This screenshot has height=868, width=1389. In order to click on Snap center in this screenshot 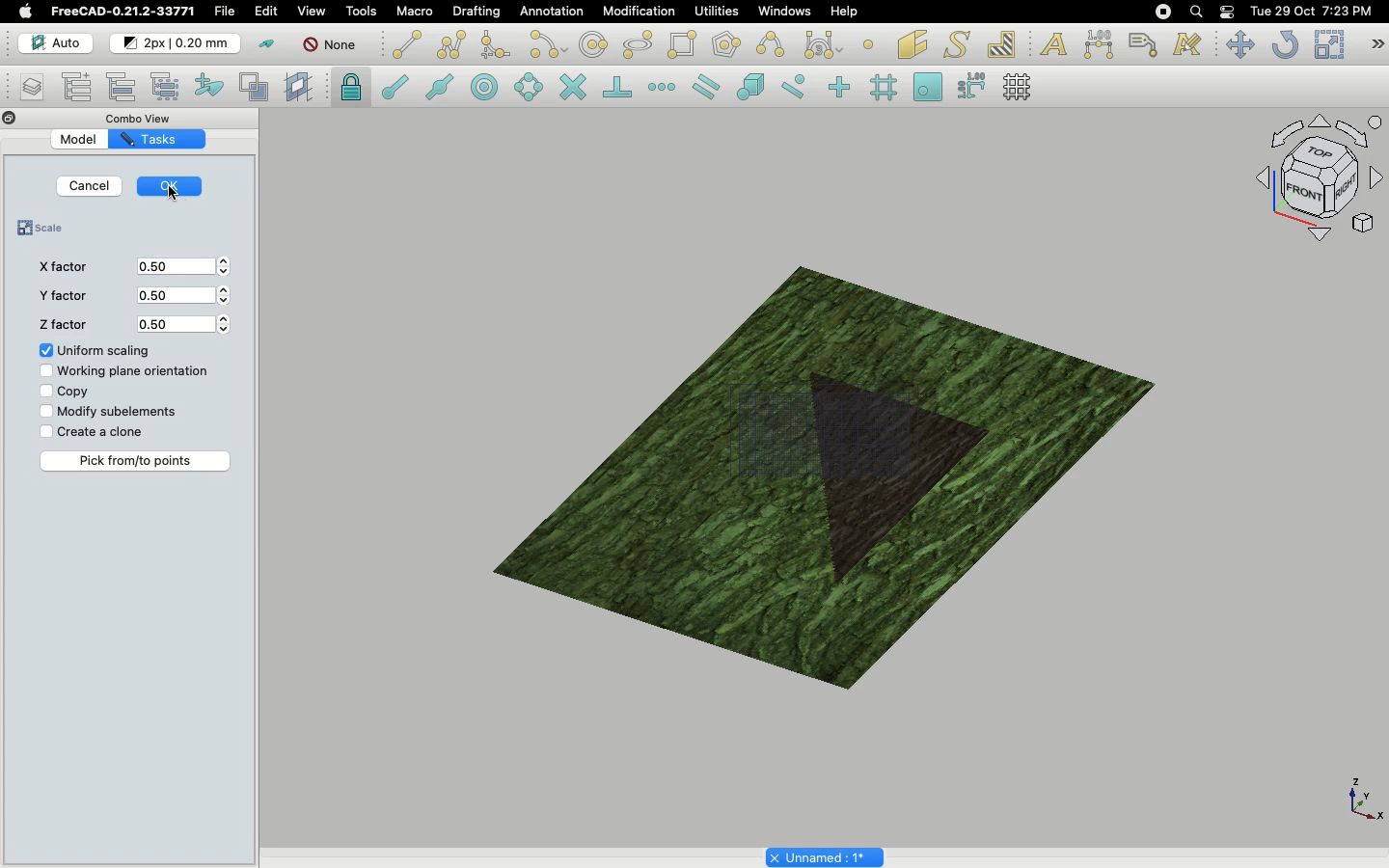, I will do `click(482, 88)`.